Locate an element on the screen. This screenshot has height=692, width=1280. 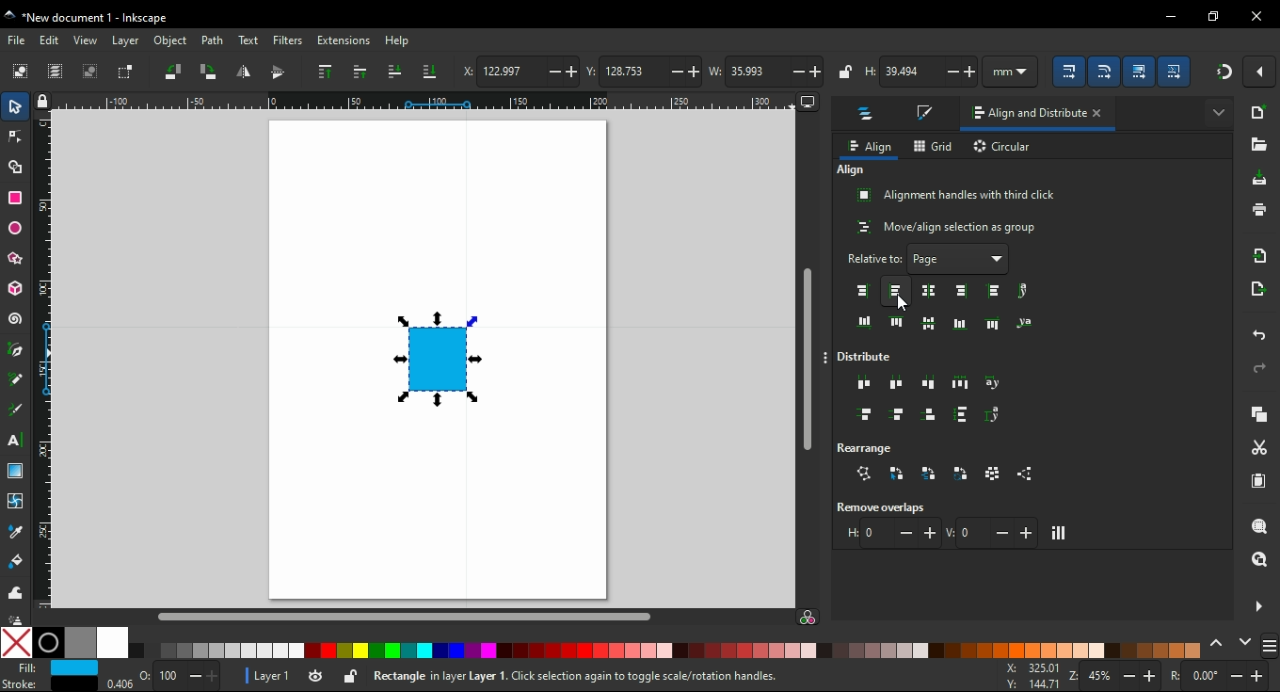
width of selection is located at coordinates (772, 72).